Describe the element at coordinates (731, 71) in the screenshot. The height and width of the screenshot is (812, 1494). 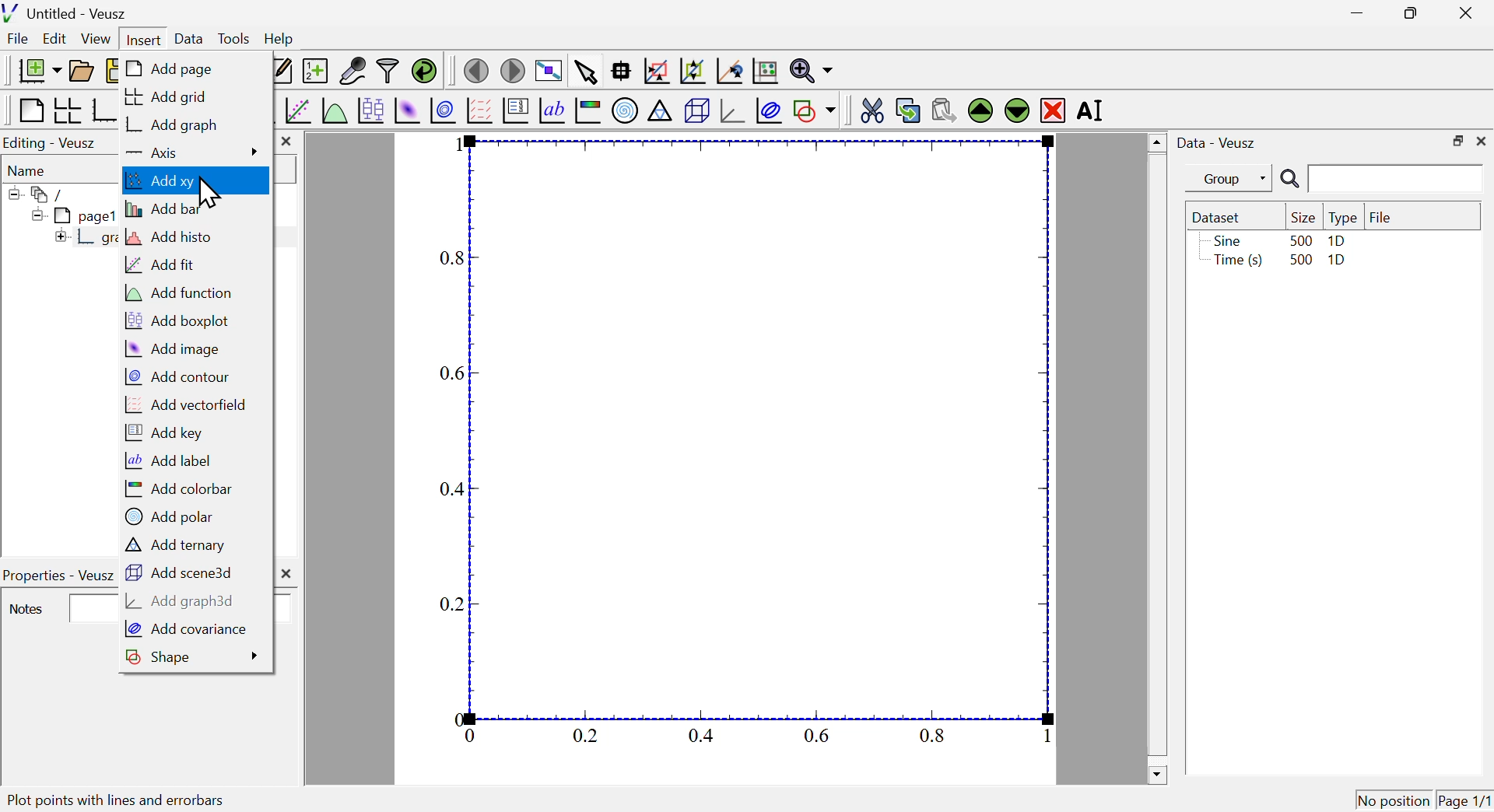
I see `recenter graph axes` at that location.